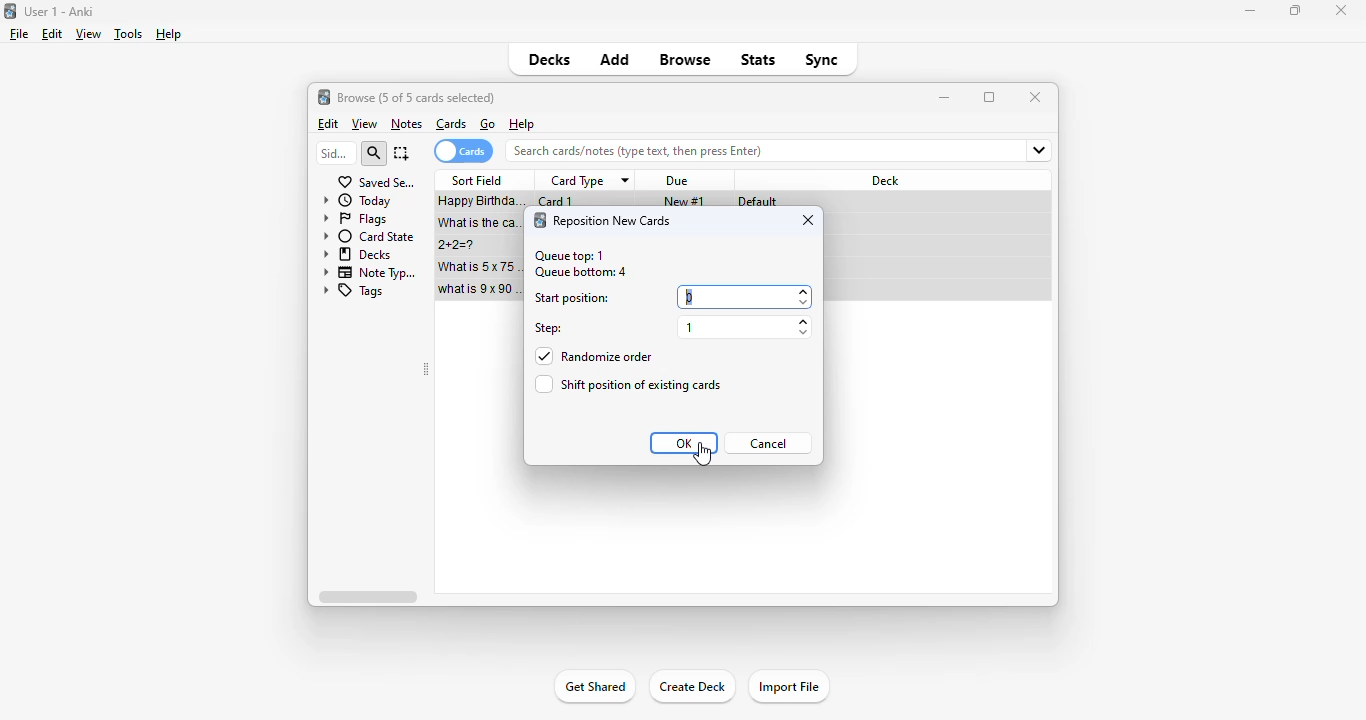 This screenshot has height=720, width=1366. Describe the element at coordinates (402, 153) in the screenshot. I see `select` at that location.